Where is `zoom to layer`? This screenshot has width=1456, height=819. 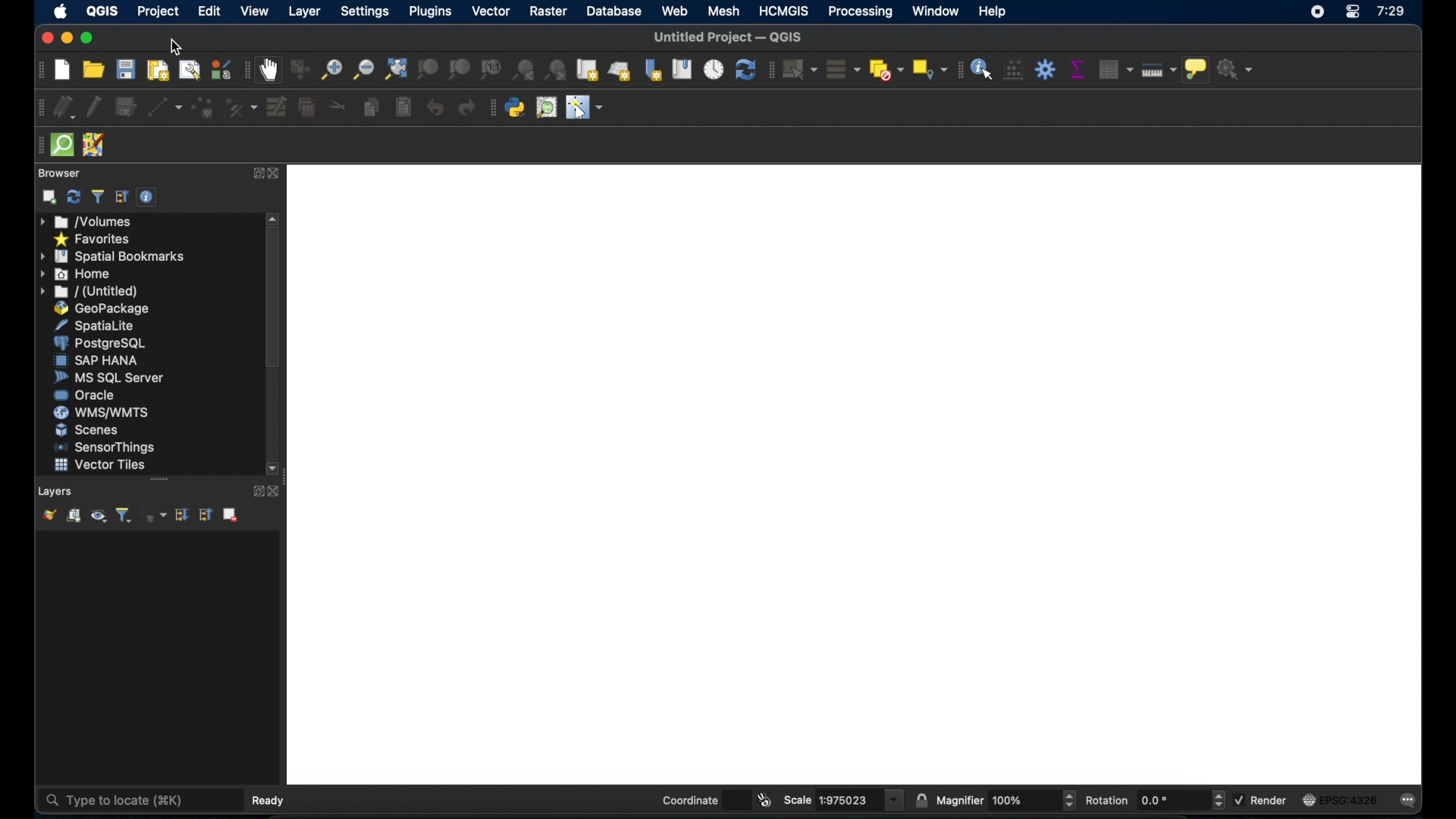 zoom to layer is located at coordinates (459, 69).